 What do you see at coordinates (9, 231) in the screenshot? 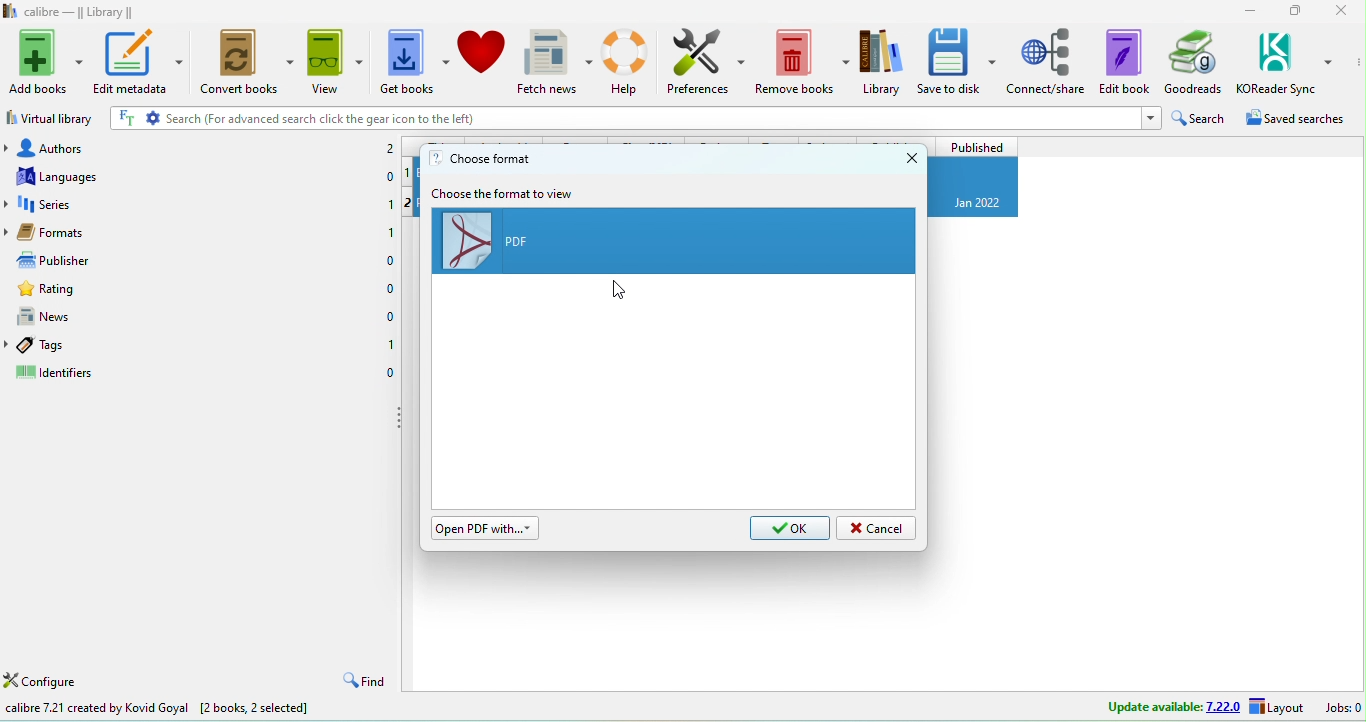
I see `drop down` at bounding box center [9, 231].